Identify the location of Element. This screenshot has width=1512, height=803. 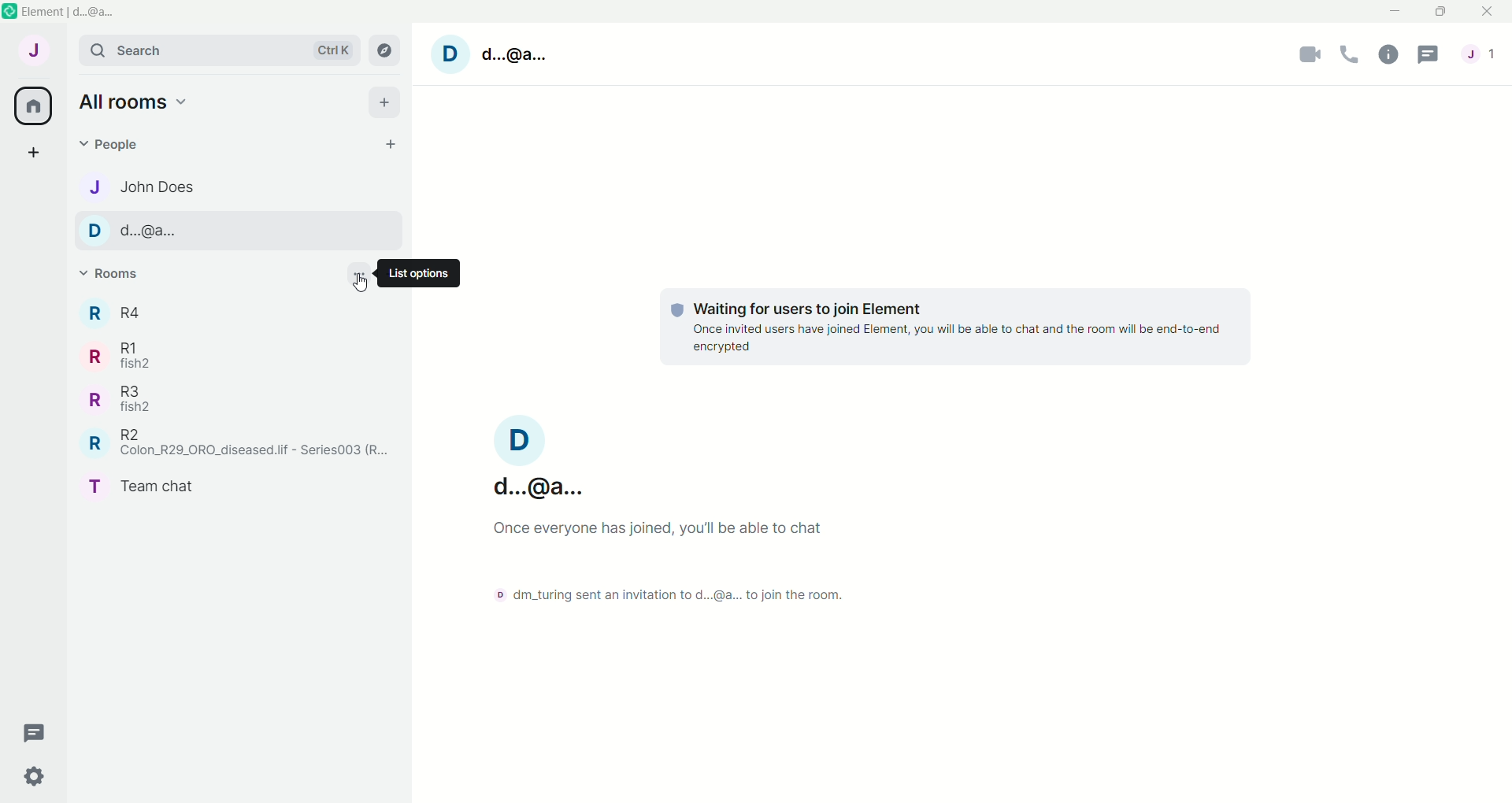
(74, 11).